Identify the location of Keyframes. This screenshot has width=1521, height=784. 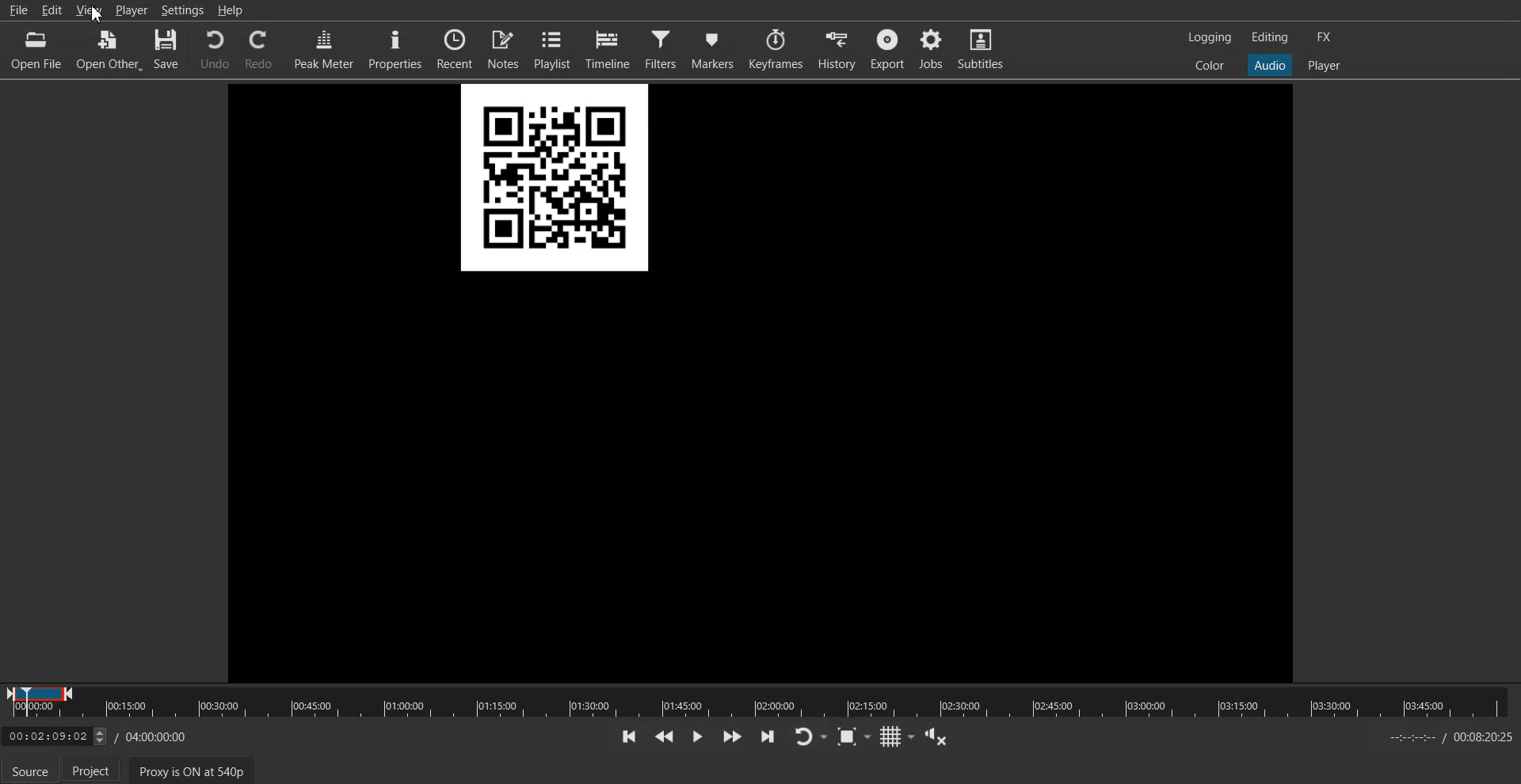
(775, 49).